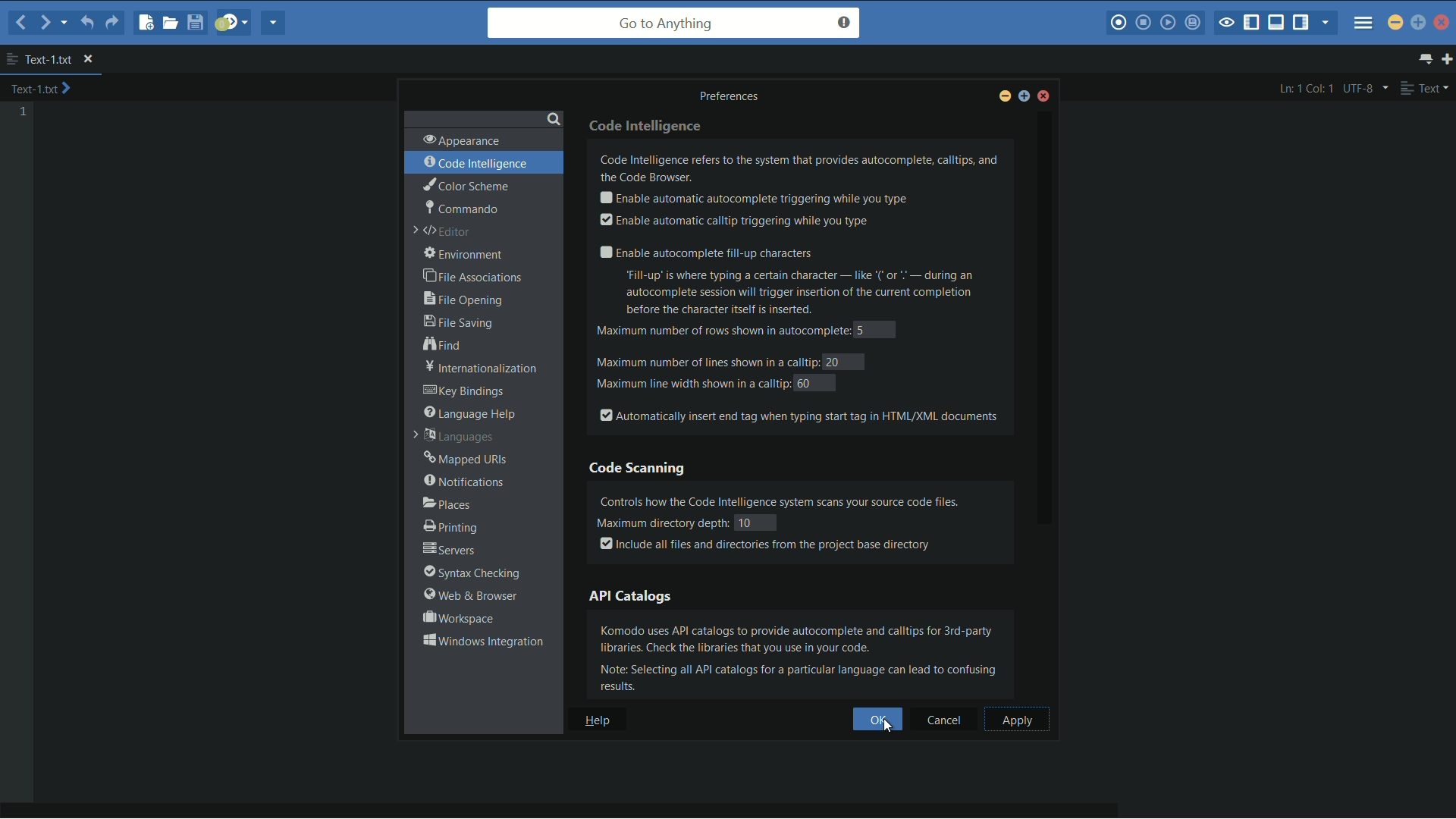 This screenshot has width=1456, height=819. Describe the element at coordinates (461, 140) in the screenshot. I see `appearance` at that location.